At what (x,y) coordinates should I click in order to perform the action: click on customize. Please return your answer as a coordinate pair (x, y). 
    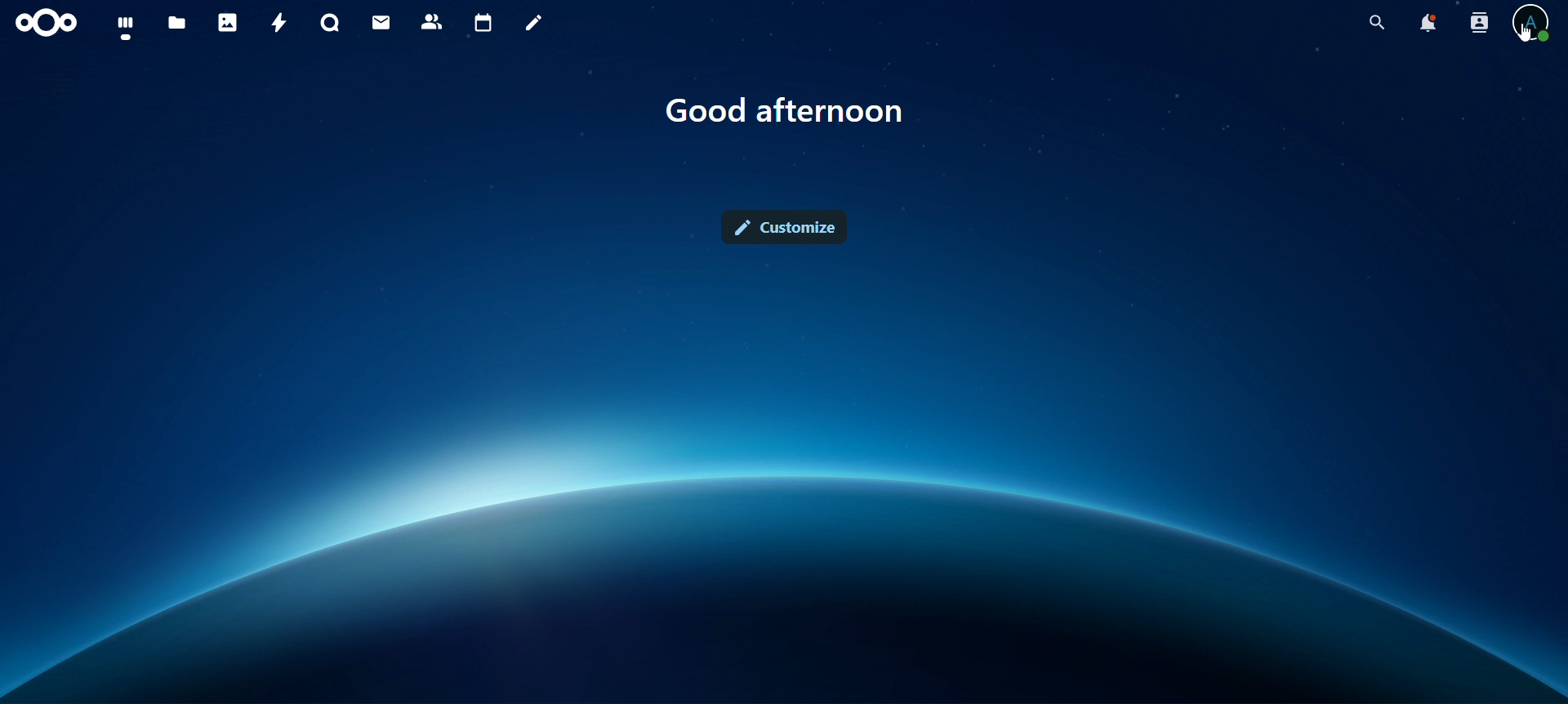
    Looking at the image, I should click on (787, 225).